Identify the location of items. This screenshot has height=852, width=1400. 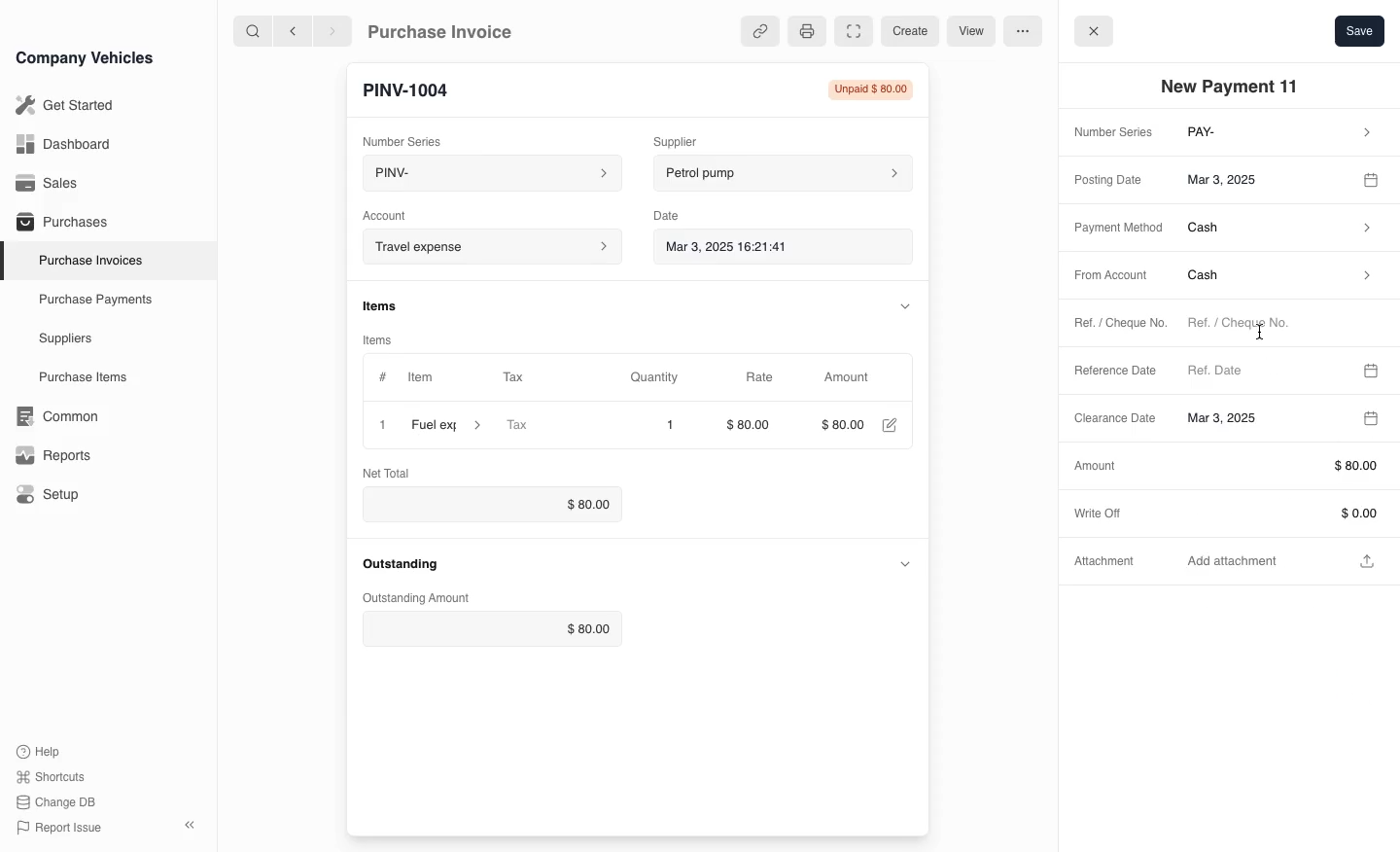
(390, 304).